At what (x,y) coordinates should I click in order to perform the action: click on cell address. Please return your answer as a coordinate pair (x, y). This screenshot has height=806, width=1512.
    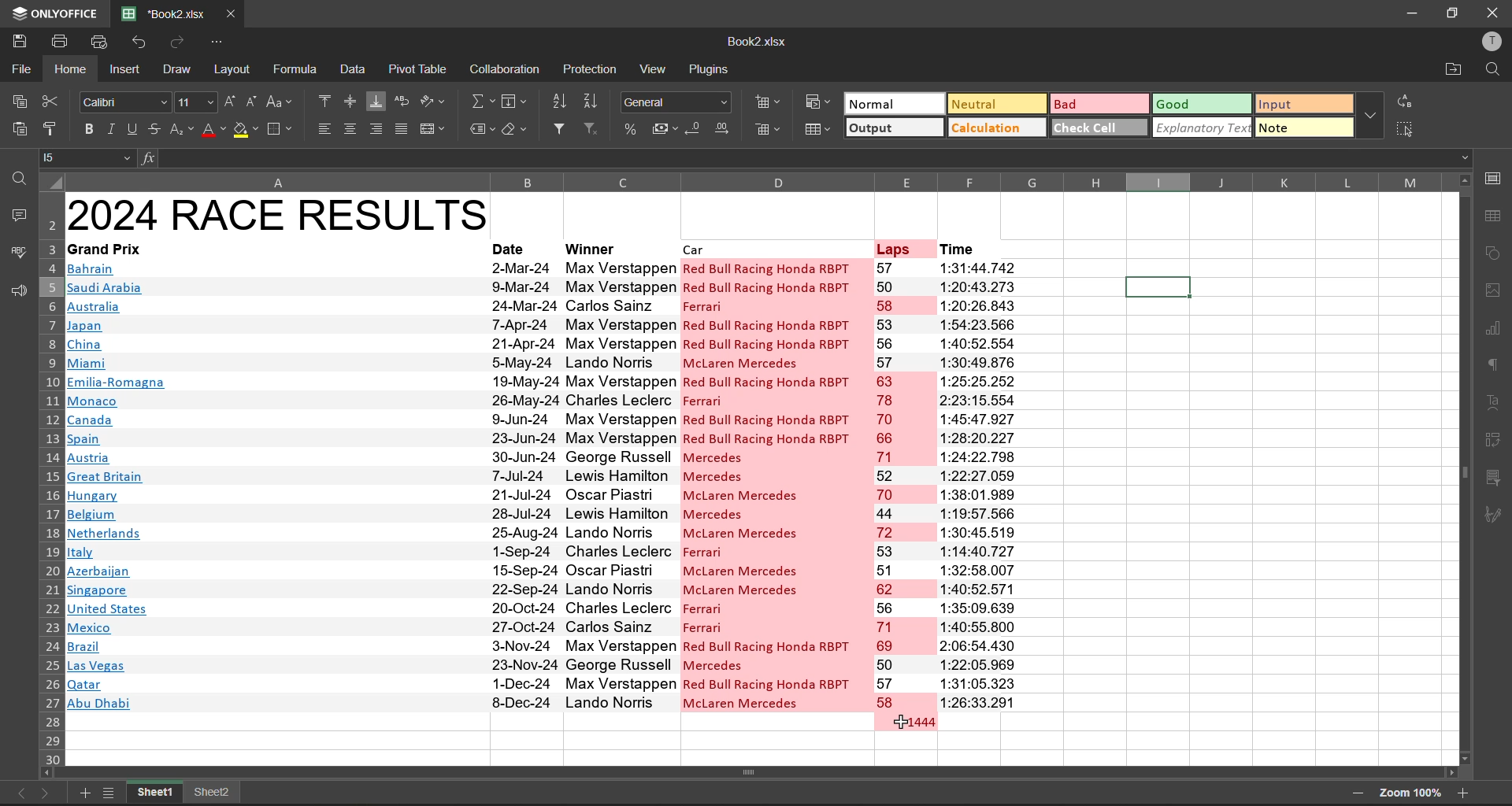
    Looking at the image, I should click on (86, 157).